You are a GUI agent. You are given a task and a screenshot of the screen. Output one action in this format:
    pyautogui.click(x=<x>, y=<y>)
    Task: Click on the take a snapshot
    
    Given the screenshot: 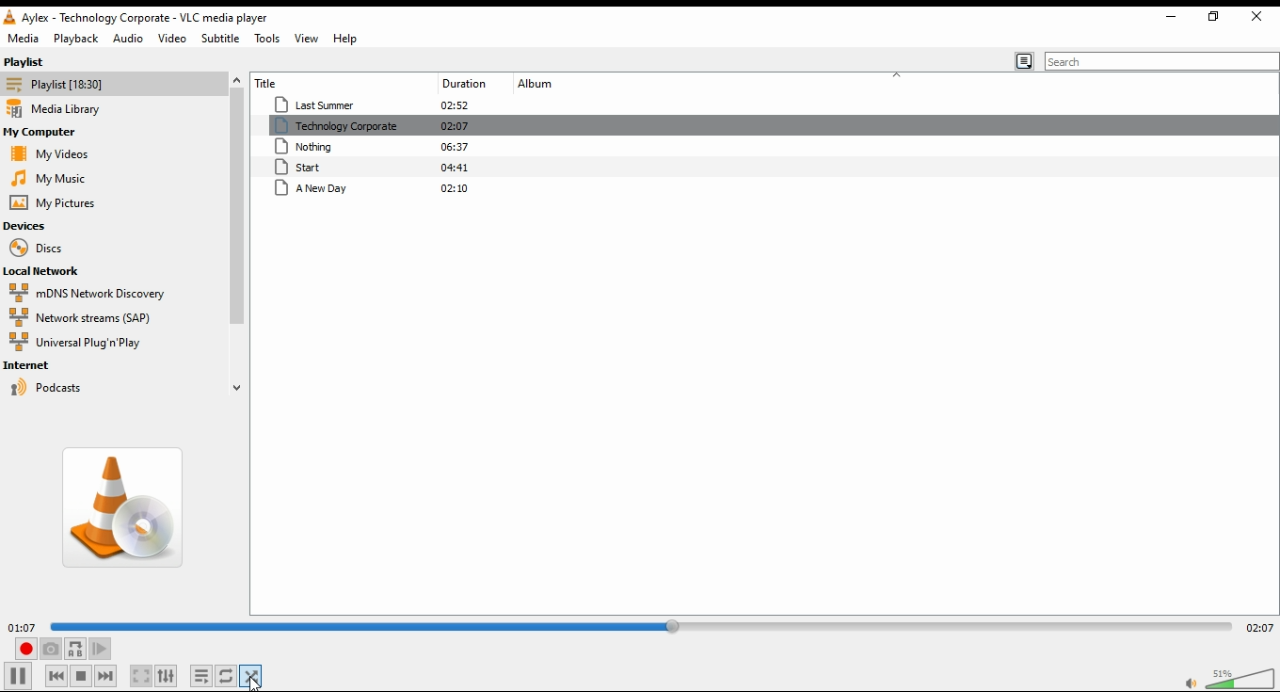 What is the action you would take?
    pyautogui.click(x=51, y=648)
    